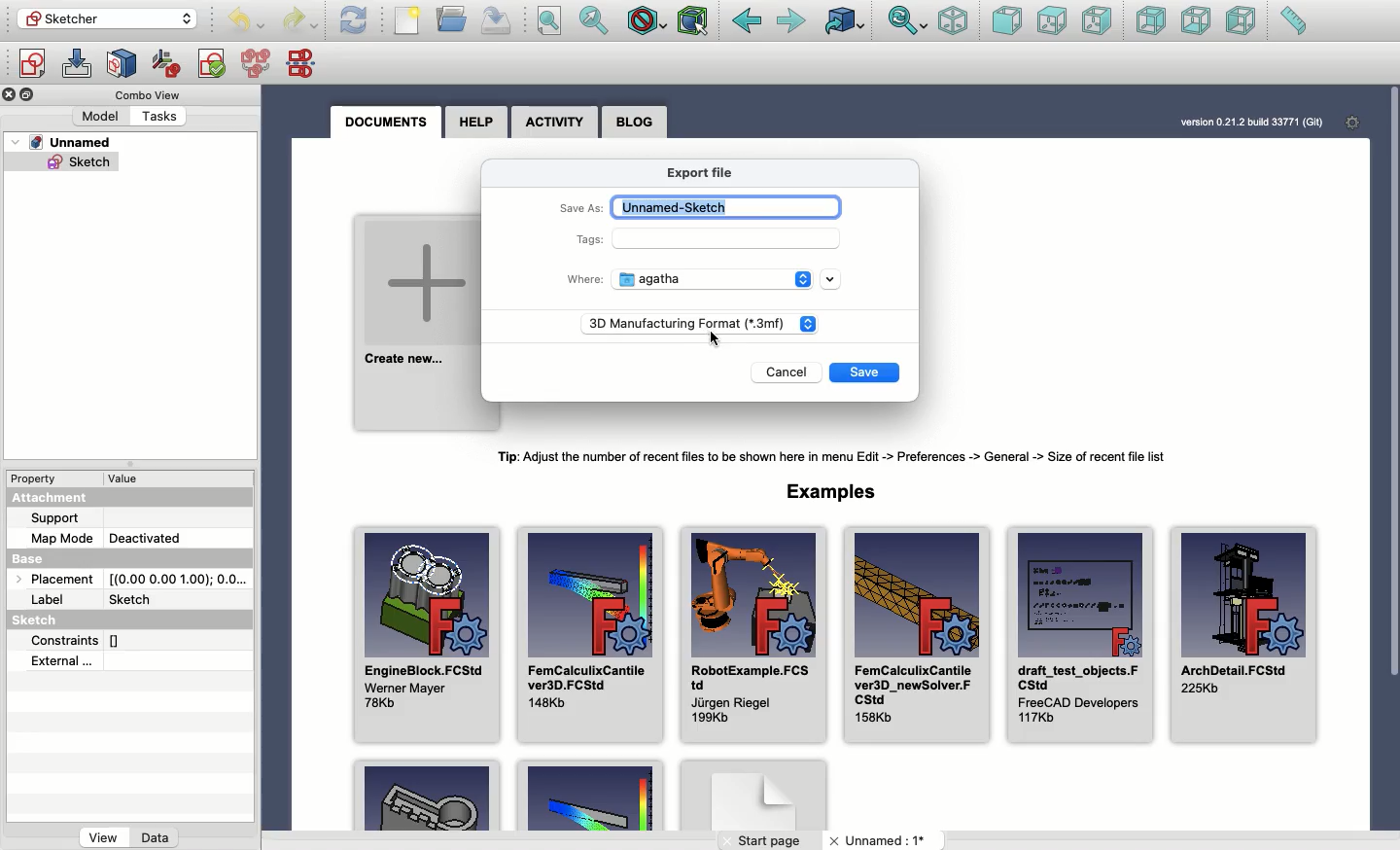 The height and width of the screenshot is (850, 1400). I want to click on version 0.21.2 bud 33771 (Git), so click(1246, 121).